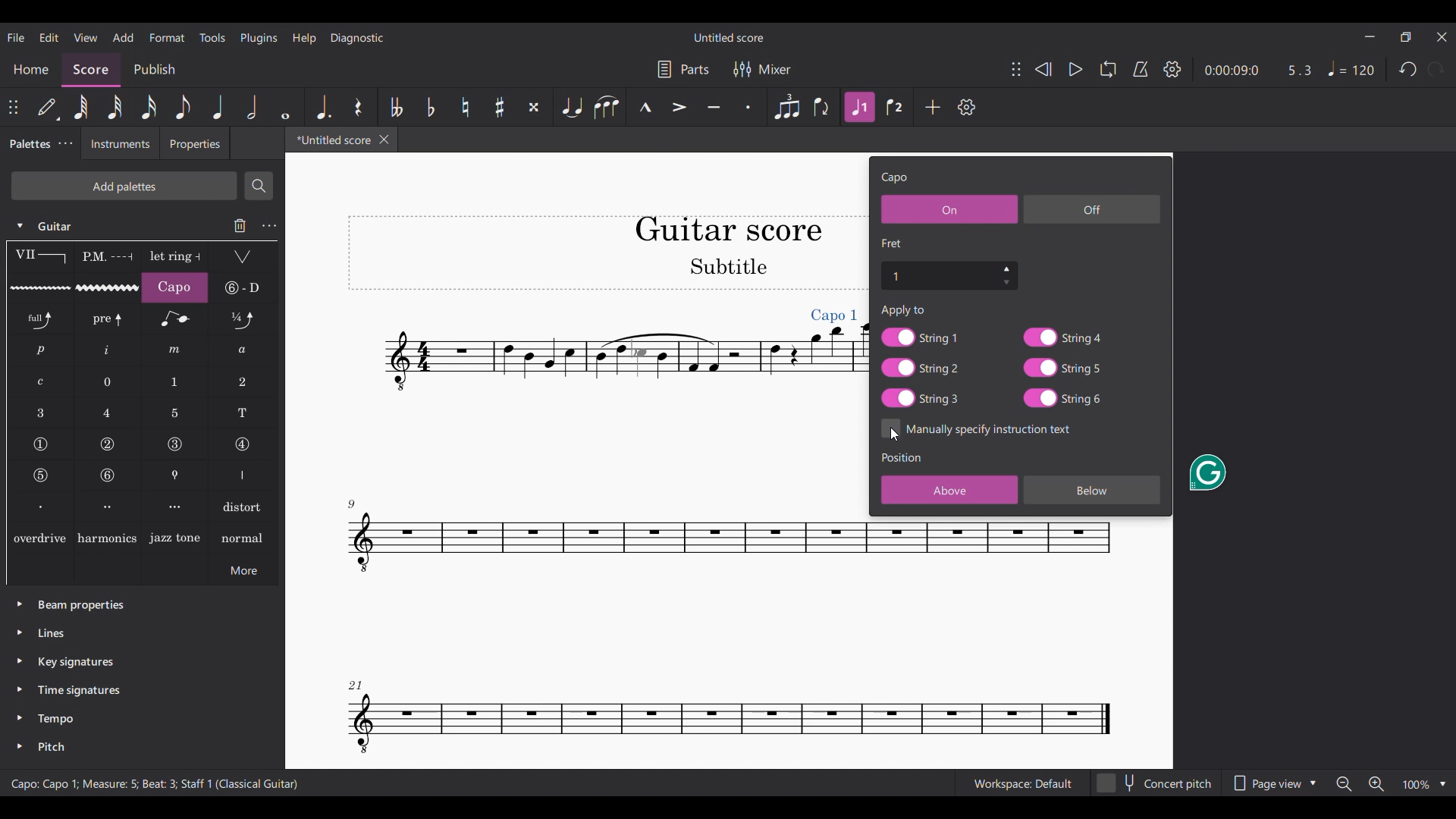 The width and height of the screenshot is (1456, 819). I want to click on Settings, so click(967, 107).